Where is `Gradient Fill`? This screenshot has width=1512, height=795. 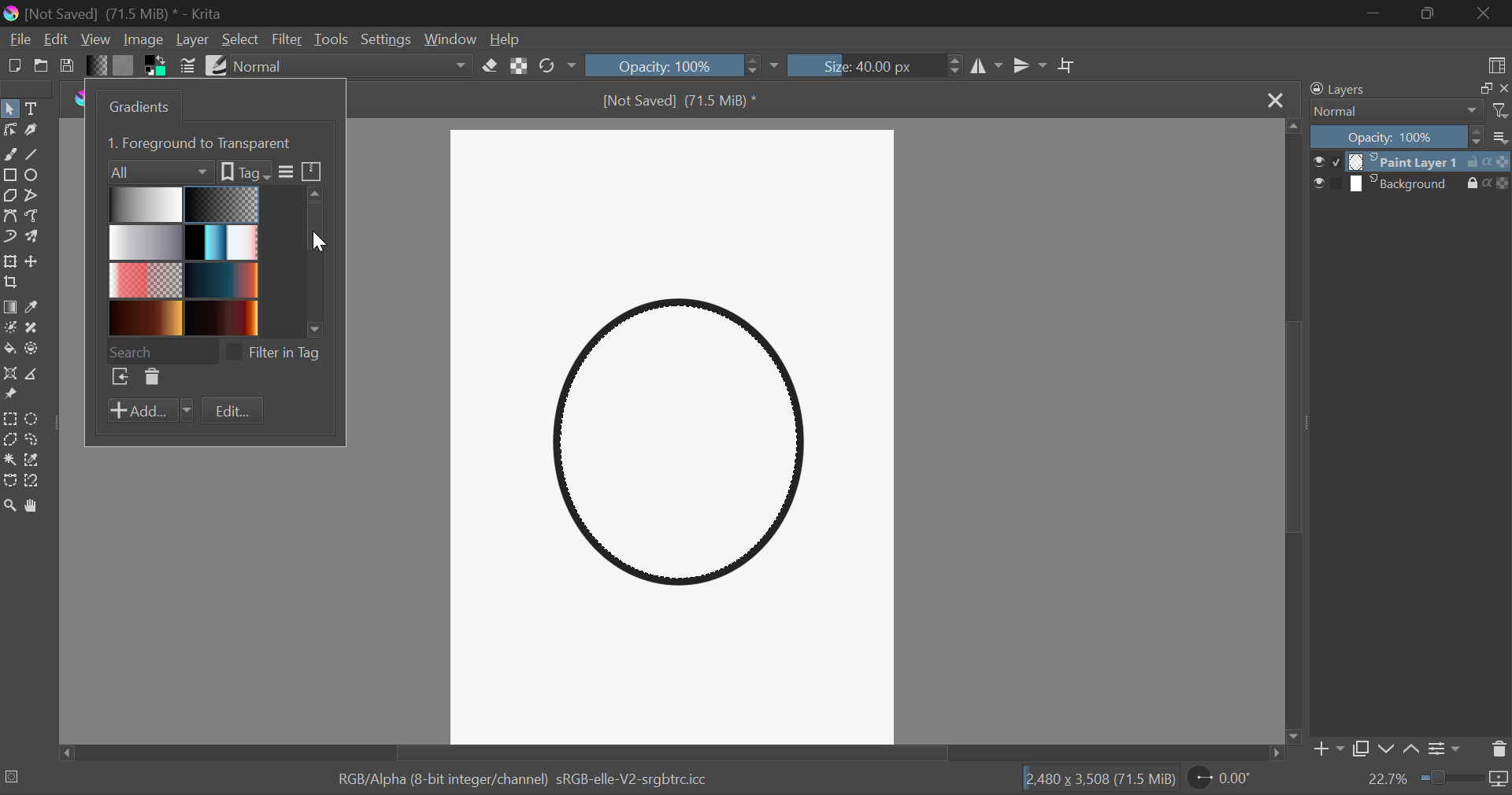 Gradient Fill is located at coordinates (10, 308).